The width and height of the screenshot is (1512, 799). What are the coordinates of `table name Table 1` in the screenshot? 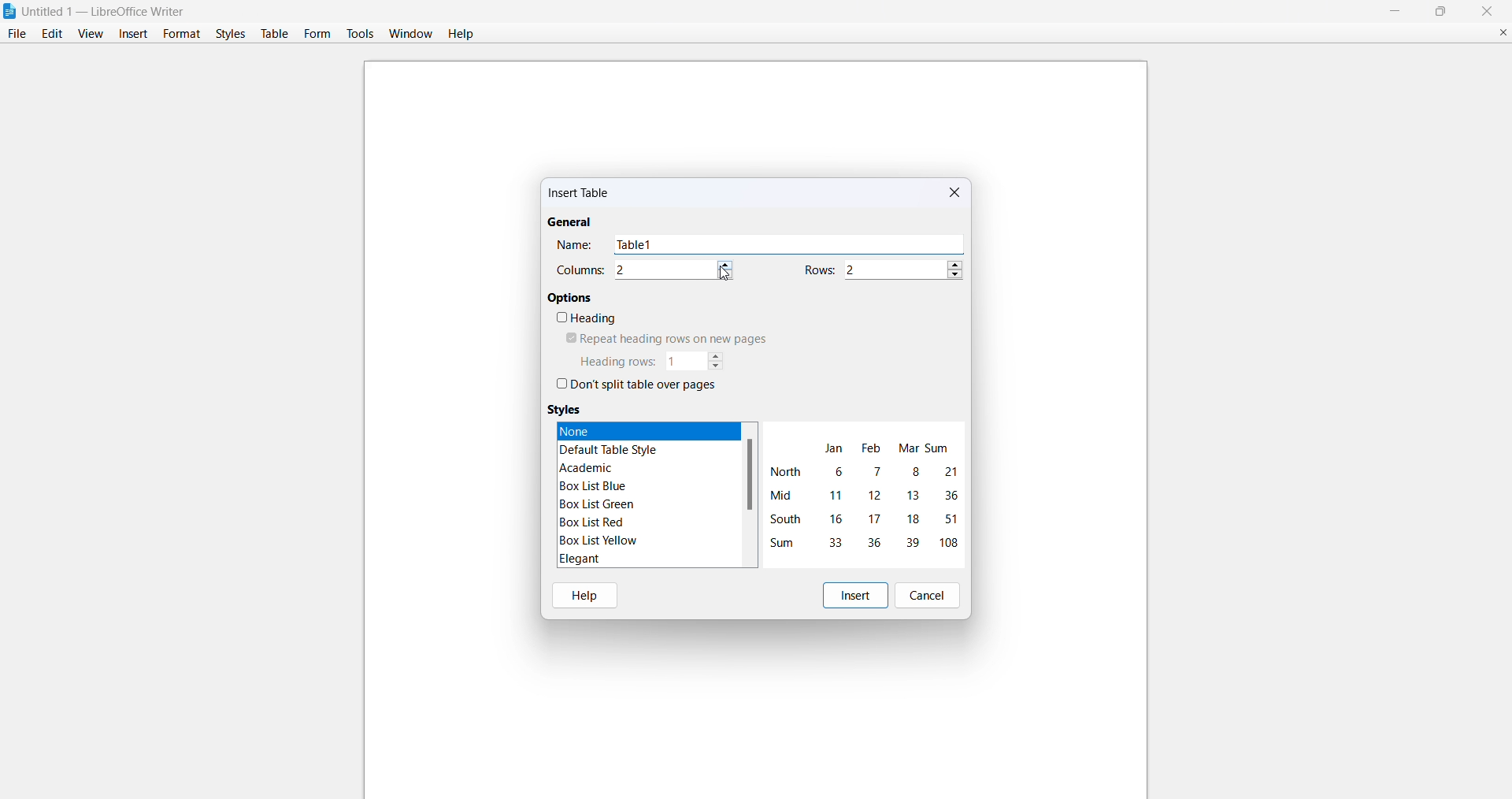 It's located at (790, 244).